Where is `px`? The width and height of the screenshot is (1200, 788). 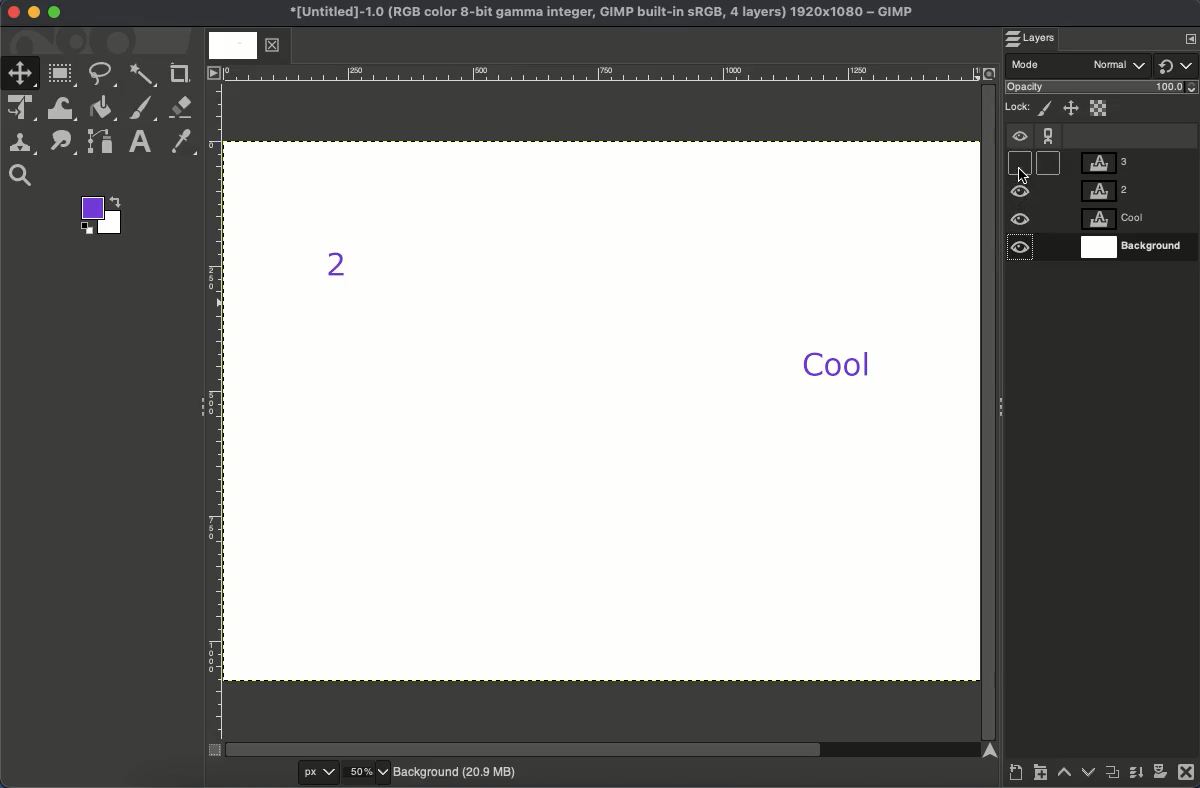 px is located at coordinates (303, 772).